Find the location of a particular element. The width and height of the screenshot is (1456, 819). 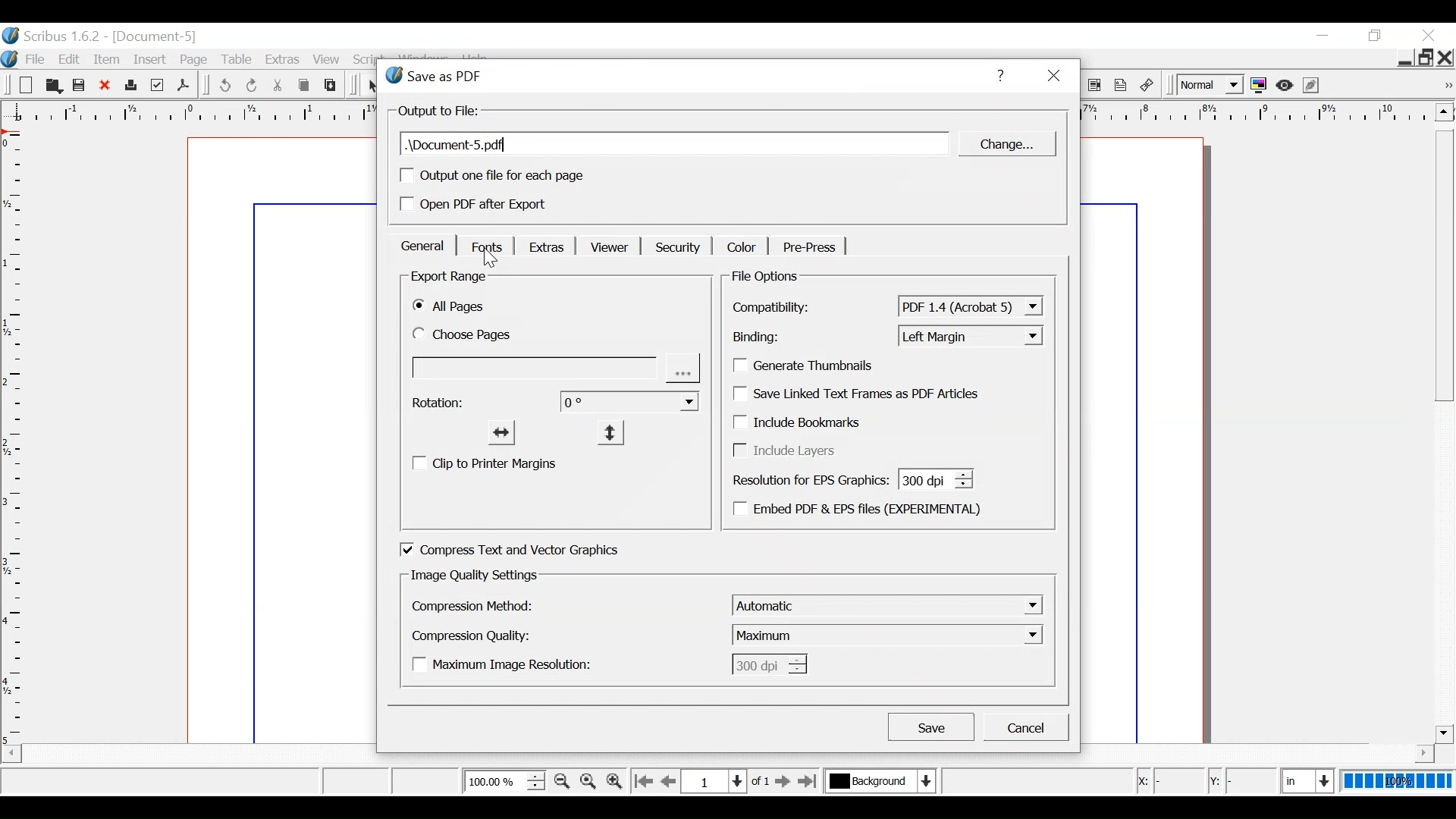

Document is located at coordinates (1157, 439).